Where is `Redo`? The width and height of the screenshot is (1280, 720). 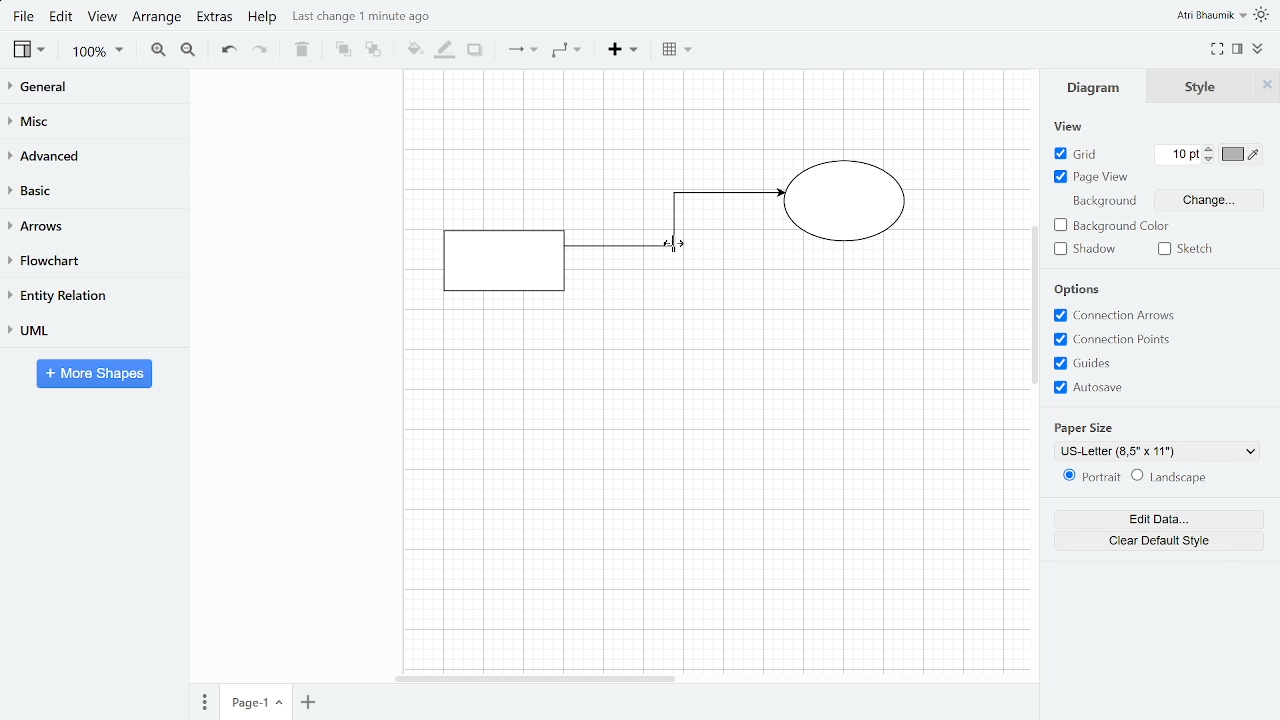
Redo is located at coordinates (260, 50).